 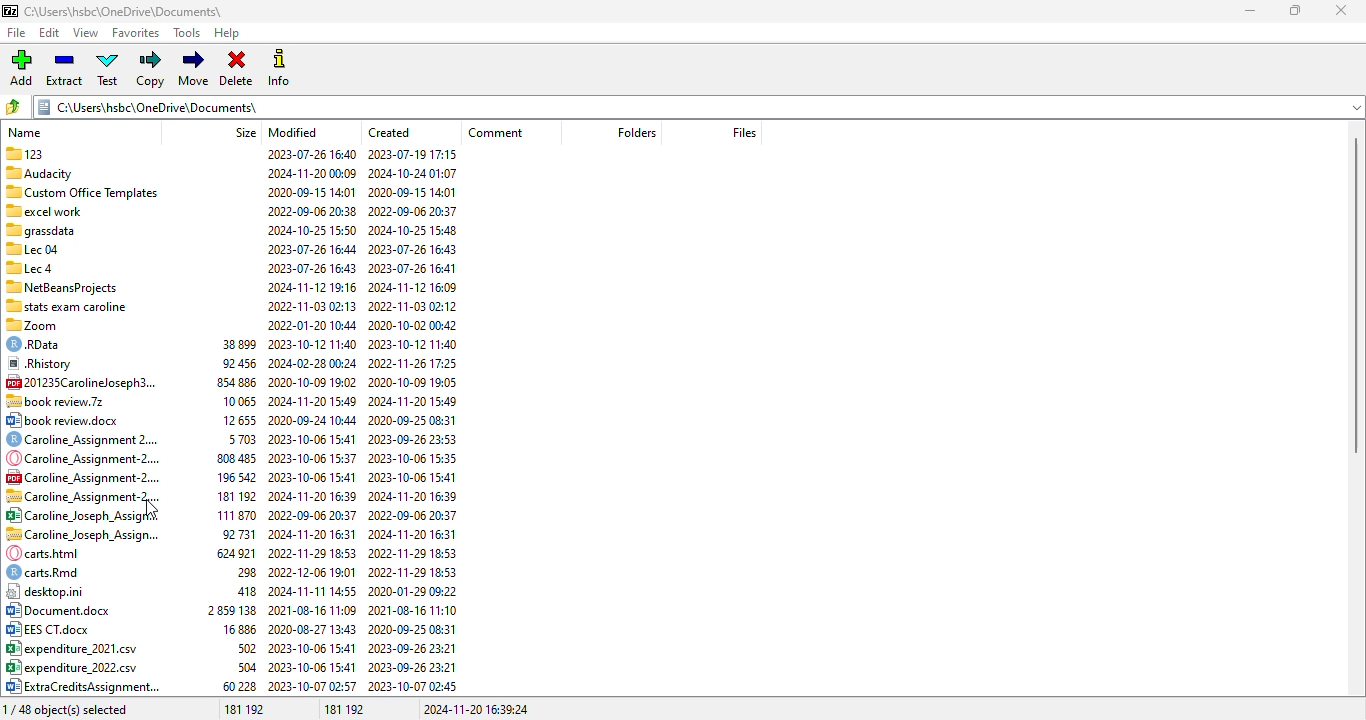 I want to click on delete, so click(x=237, y=69).